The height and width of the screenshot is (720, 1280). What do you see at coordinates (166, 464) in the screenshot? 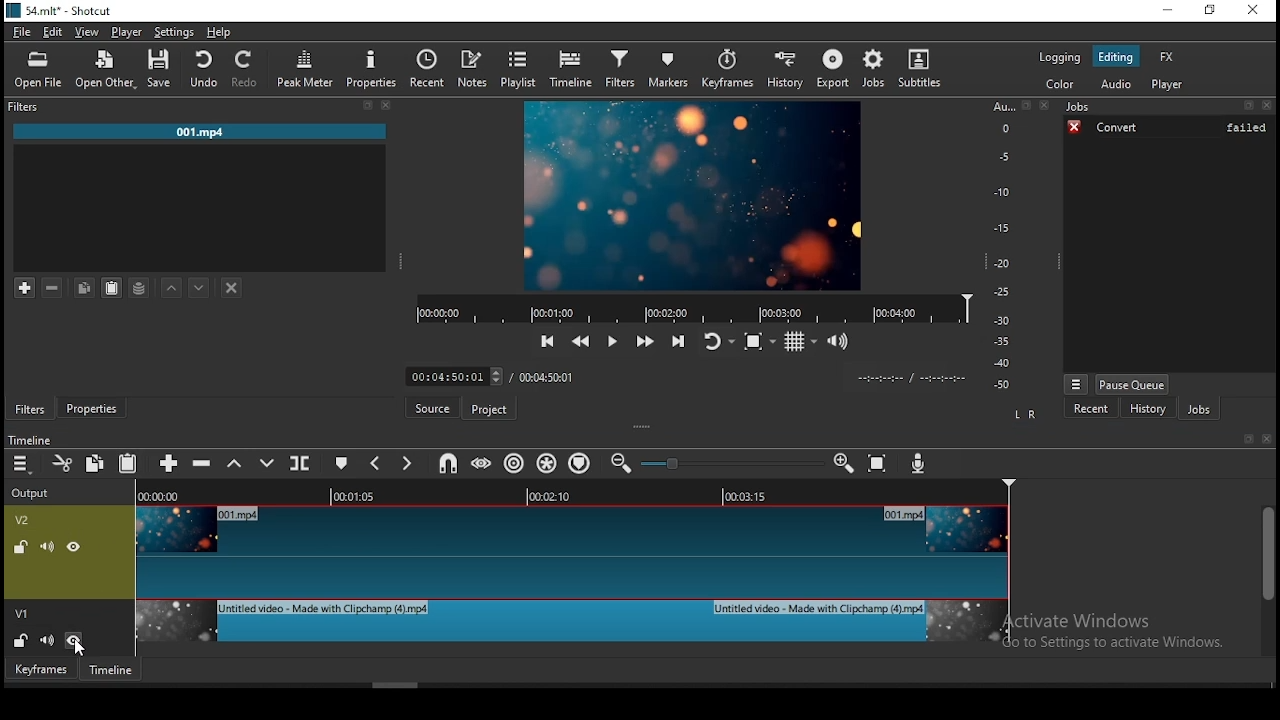
I see `append` at bounding box center [166, 464].